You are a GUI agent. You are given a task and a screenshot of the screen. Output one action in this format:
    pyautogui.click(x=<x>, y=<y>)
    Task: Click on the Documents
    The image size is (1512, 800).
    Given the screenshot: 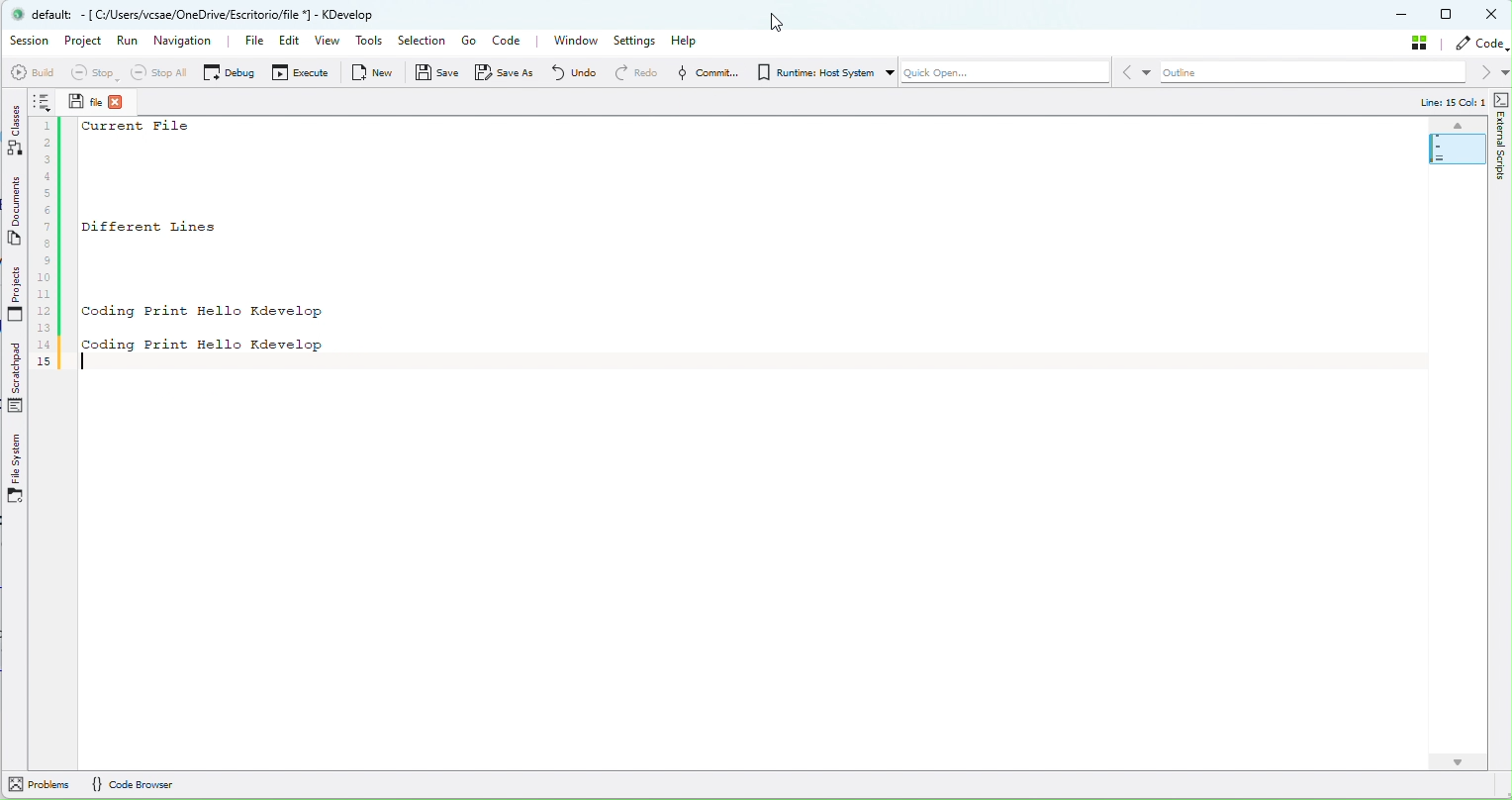 What is the action you would take?
    pyautogui.click(x=17, y=214)
    